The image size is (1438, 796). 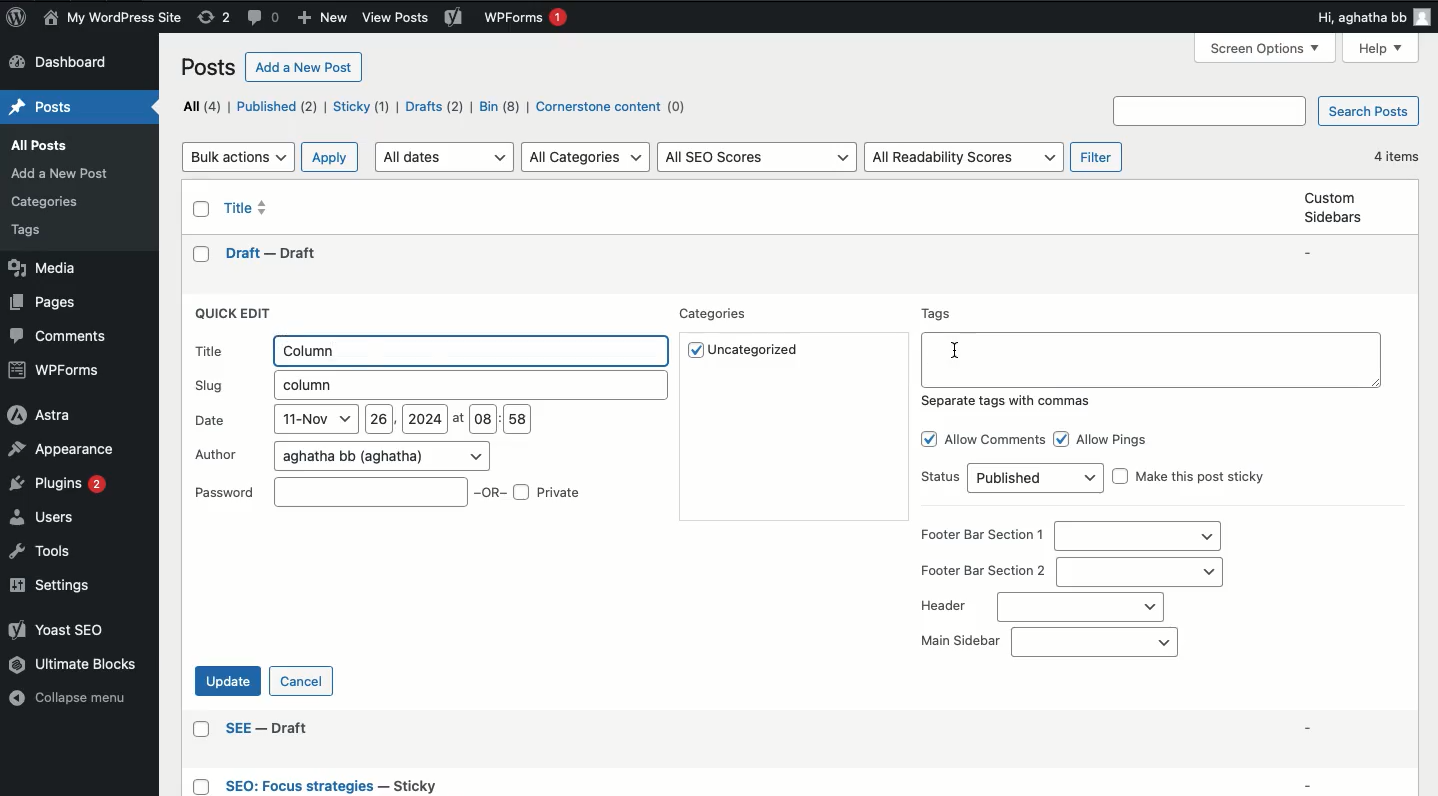 I want to click on Revisions, so click(x=215, y=18).